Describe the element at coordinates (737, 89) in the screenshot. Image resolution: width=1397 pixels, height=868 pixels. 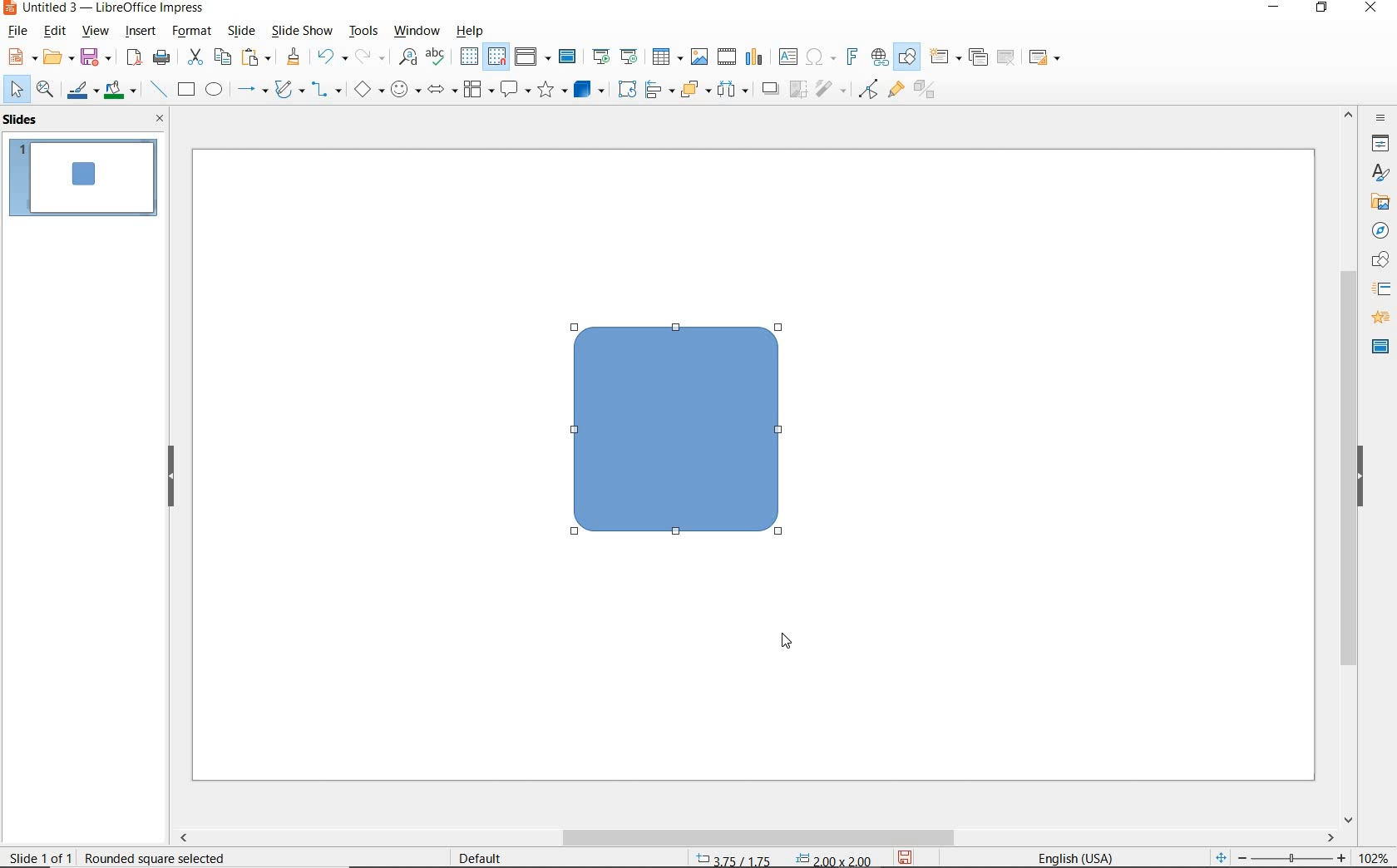
I see `three objects to distribute` at that location.